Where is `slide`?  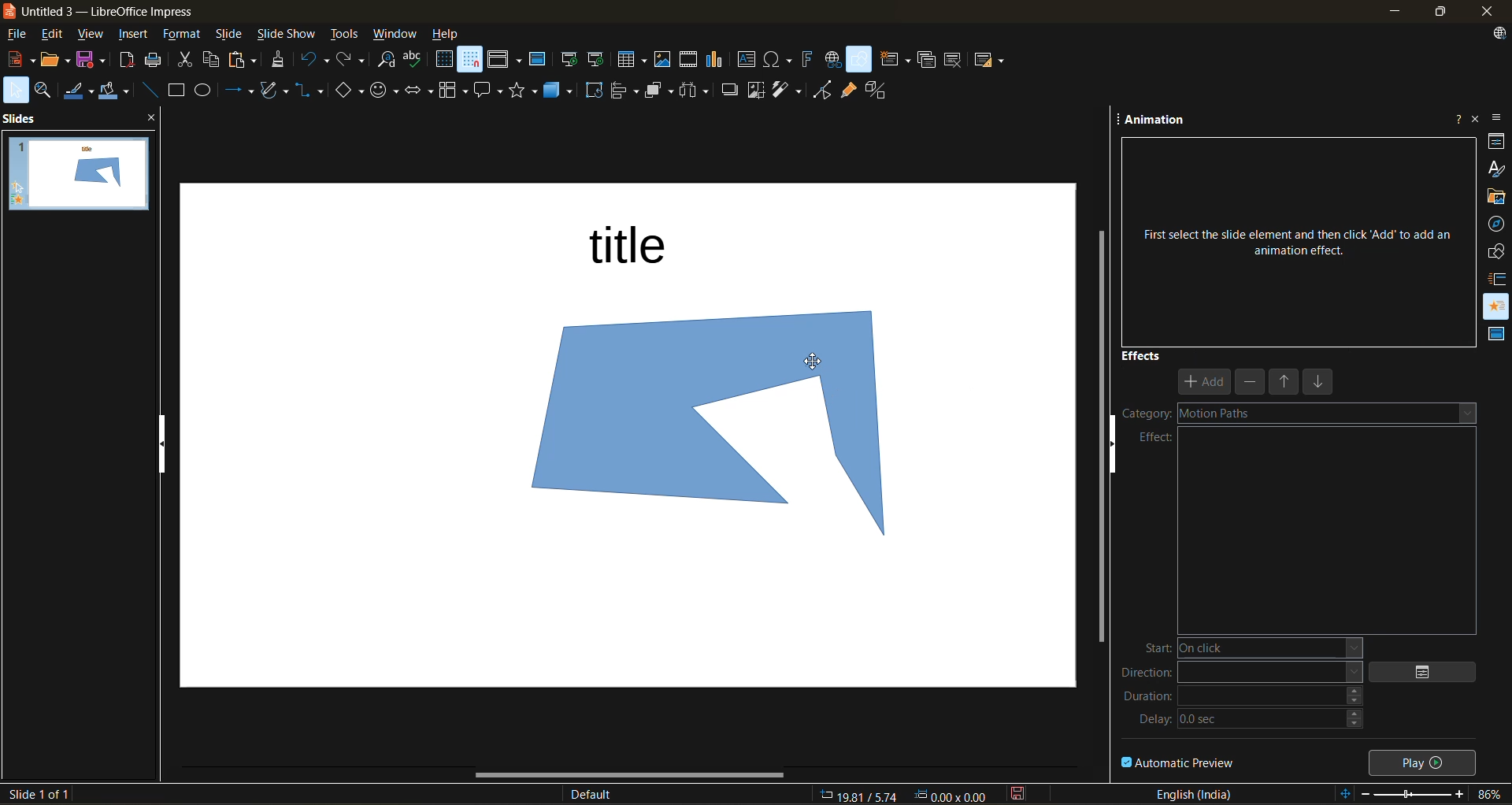 slide is located at coordinates (231, 36).